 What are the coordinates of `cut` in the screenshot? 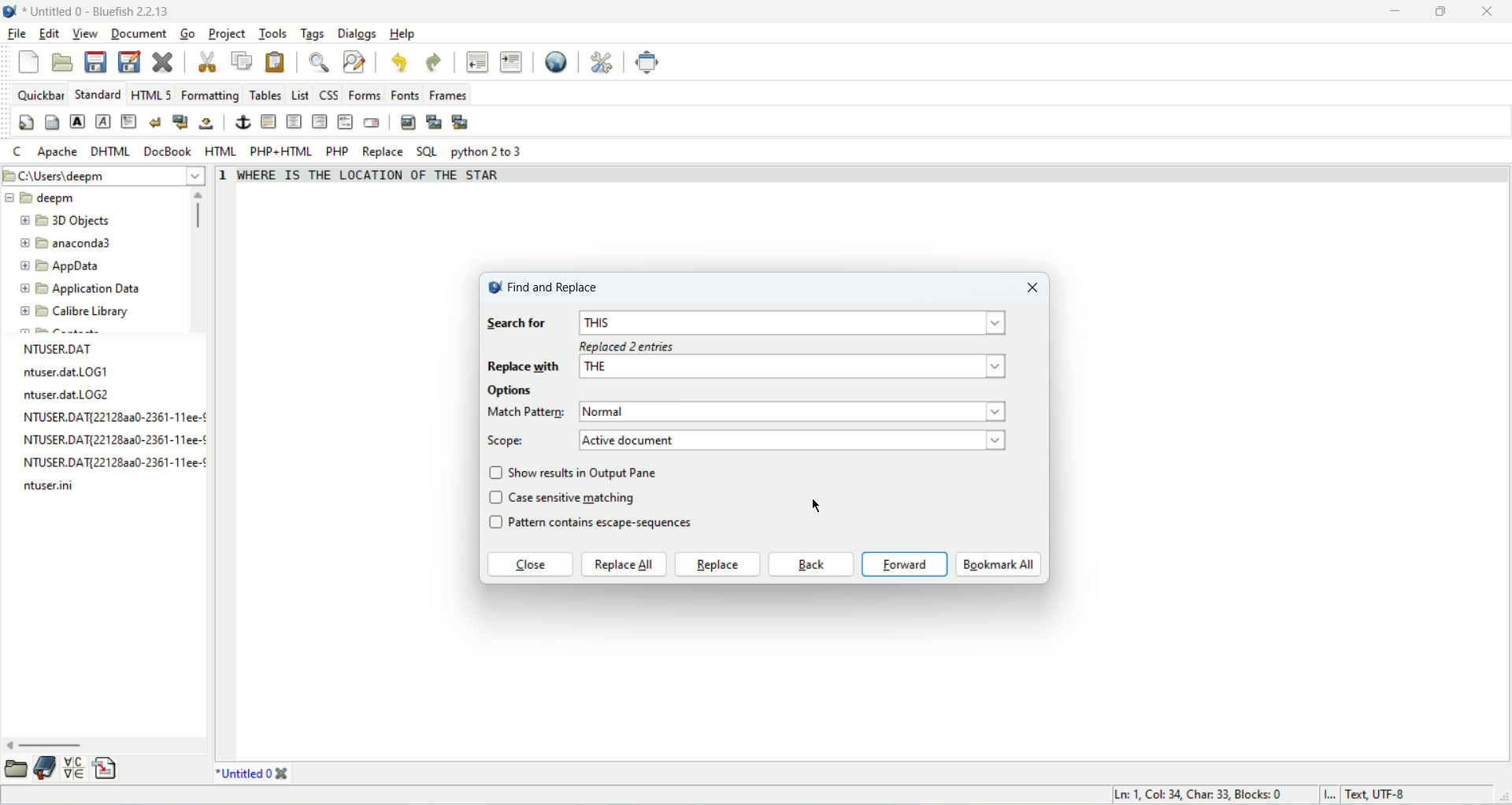 It's located at (209, 62).